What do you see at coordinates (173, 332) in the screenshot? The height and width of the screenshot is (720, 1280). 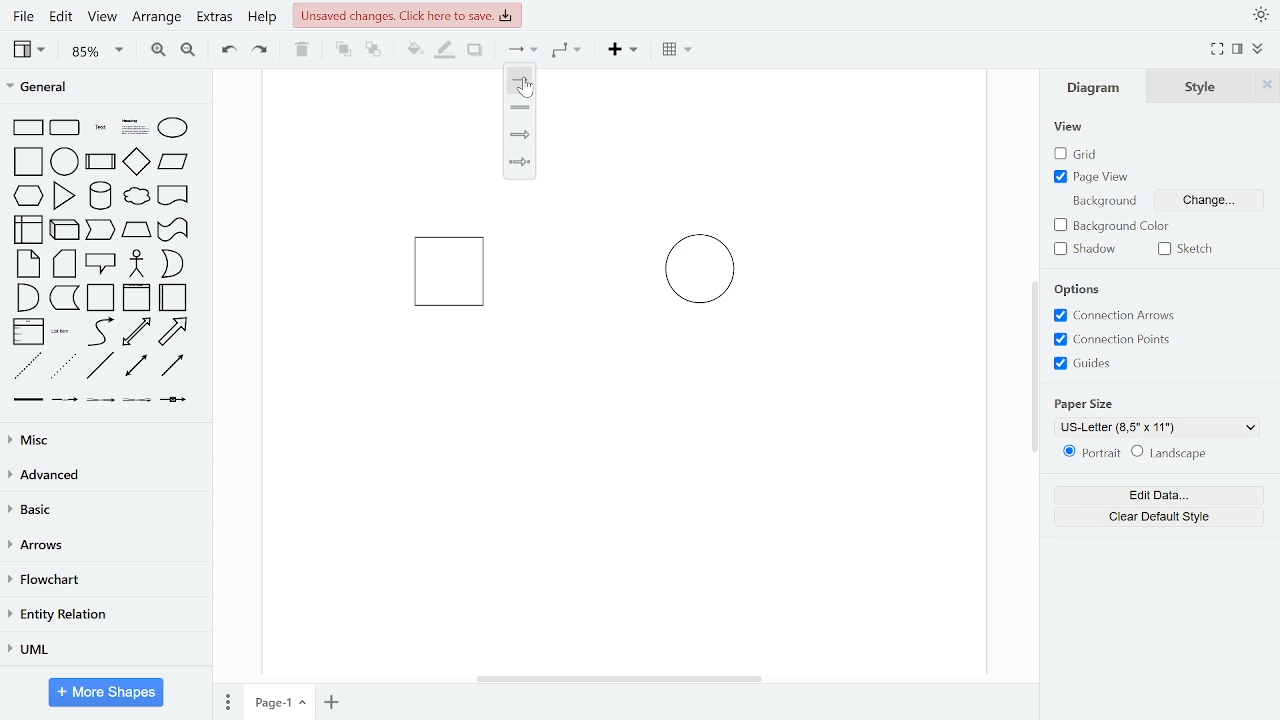 I see `arrow` at bounding box center [173, 332].